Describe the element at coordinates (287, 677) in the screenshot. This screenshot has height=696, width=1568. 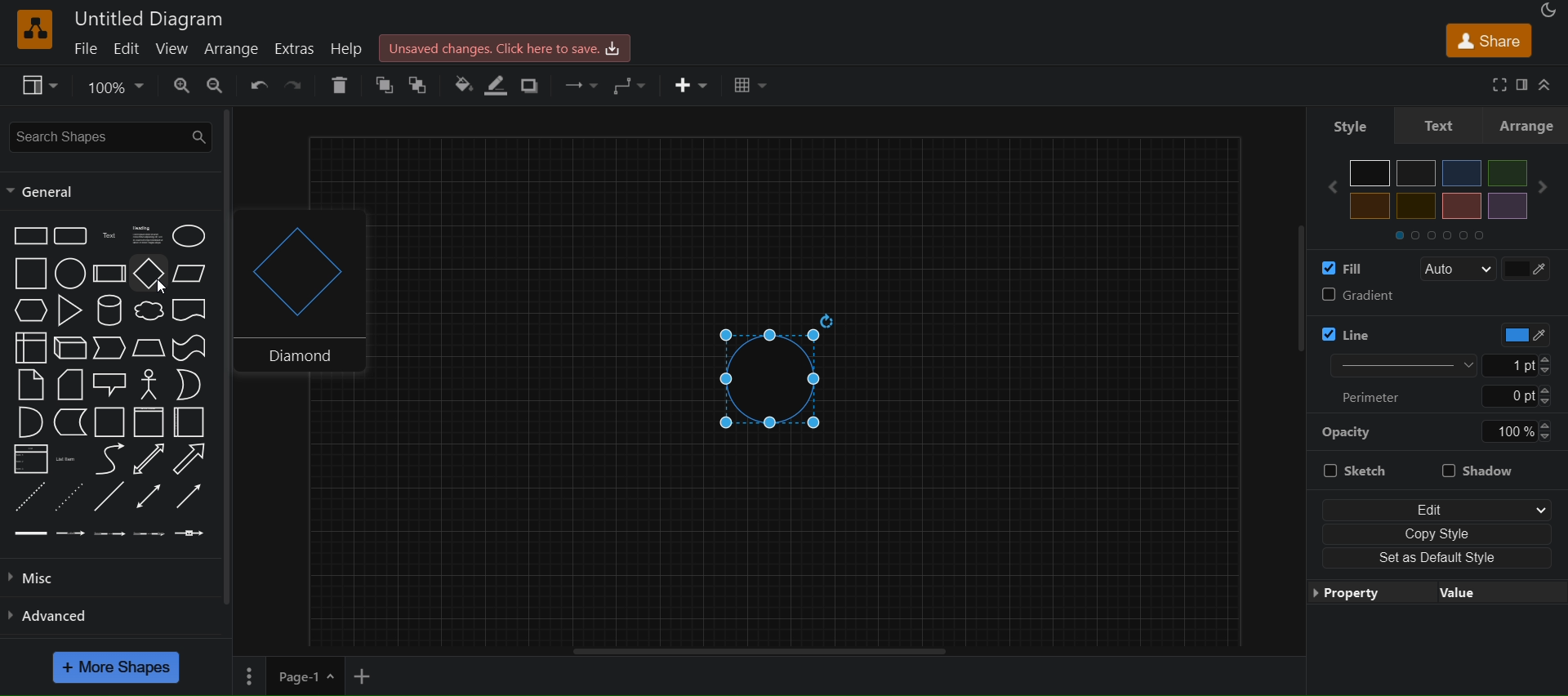
I see `page 1` at that location.